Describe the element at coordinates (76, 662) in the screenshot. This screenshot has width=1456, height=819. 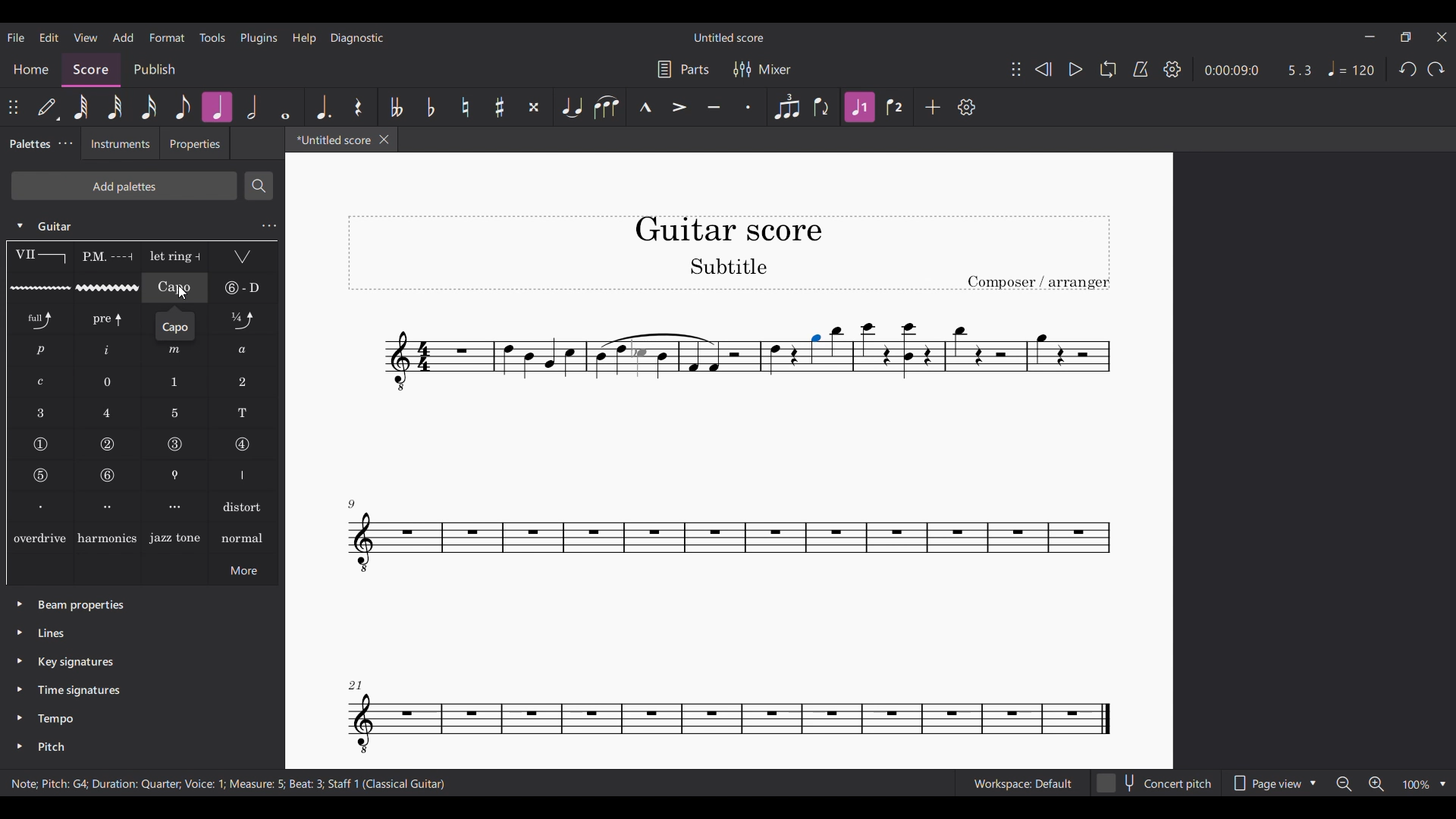
I see `Key signatures palette` at that location.